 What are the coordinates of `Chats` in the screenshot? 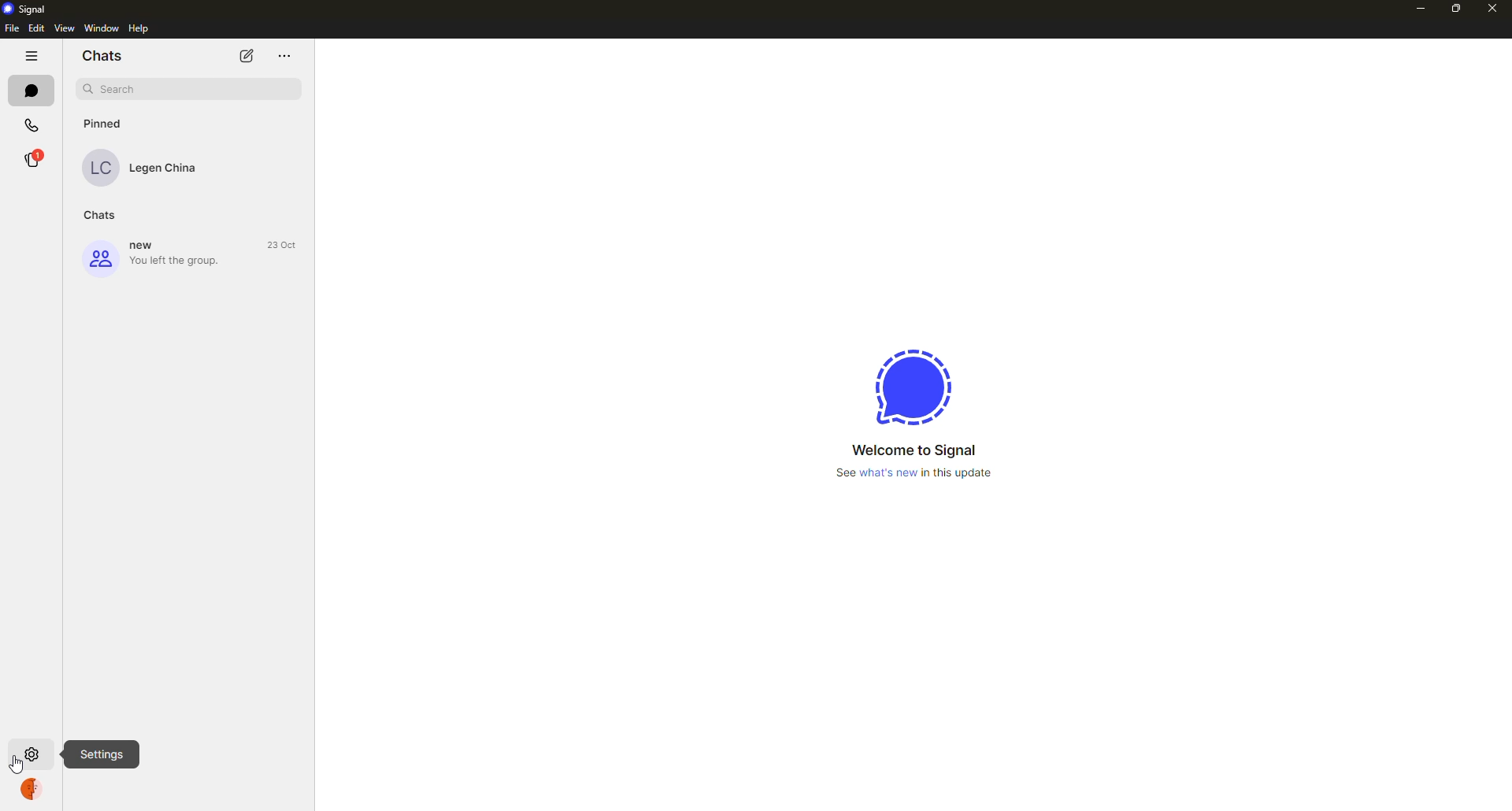 It's located at (102, 215).